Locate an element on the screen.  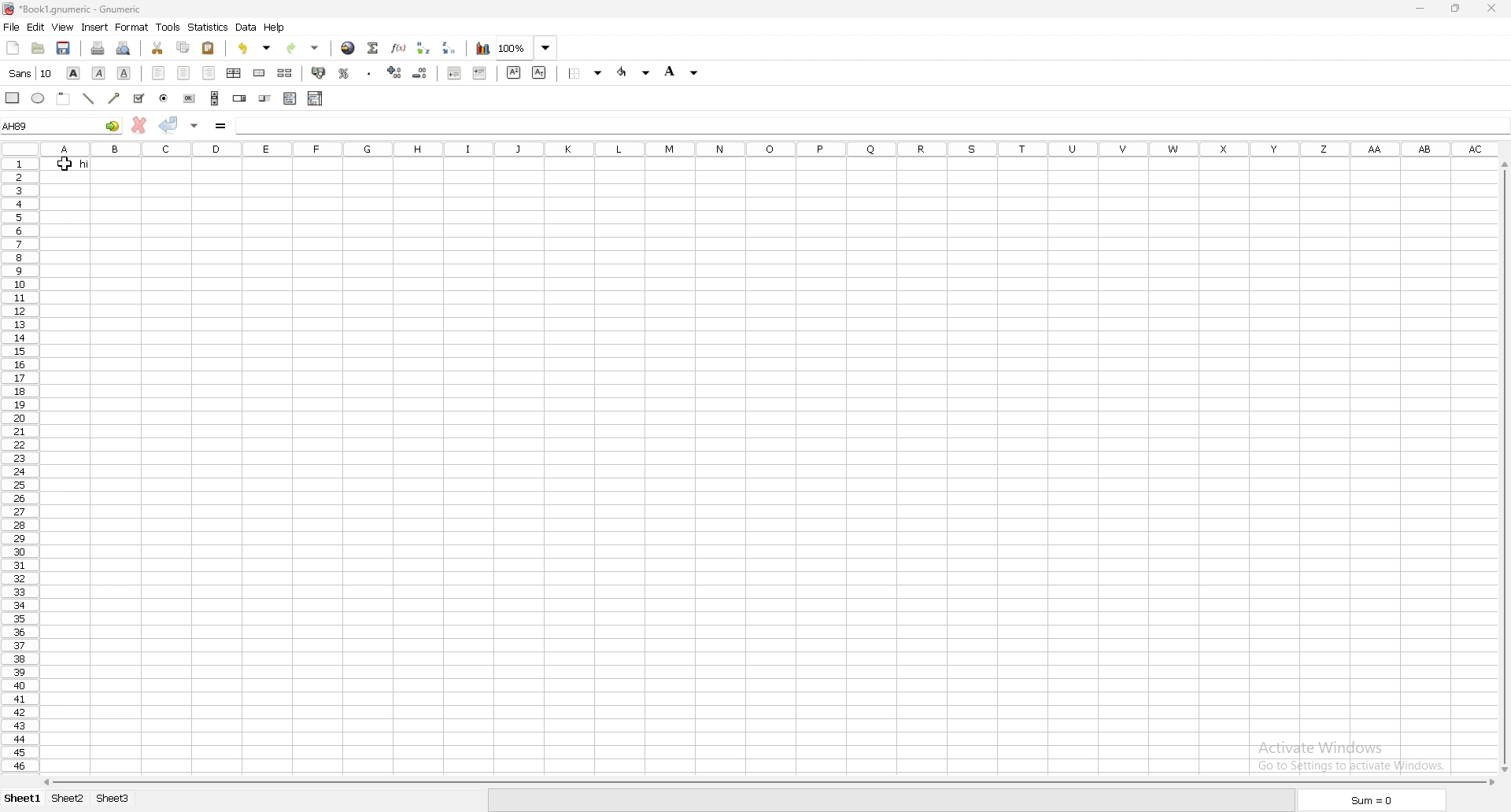
tools is located at coordinates (168, 28).